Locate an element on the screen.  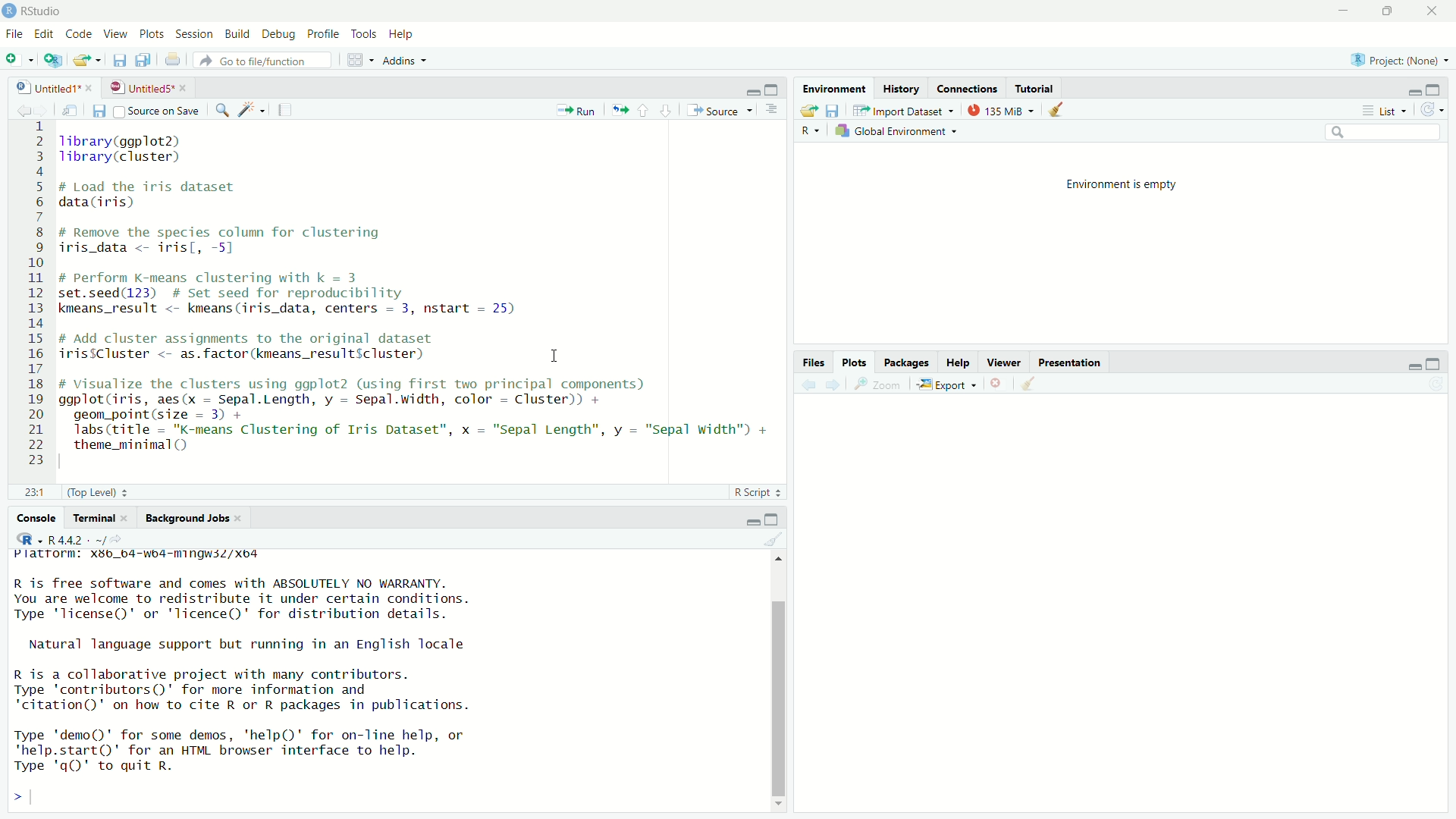
minimize is located at coordinates (752, 89).